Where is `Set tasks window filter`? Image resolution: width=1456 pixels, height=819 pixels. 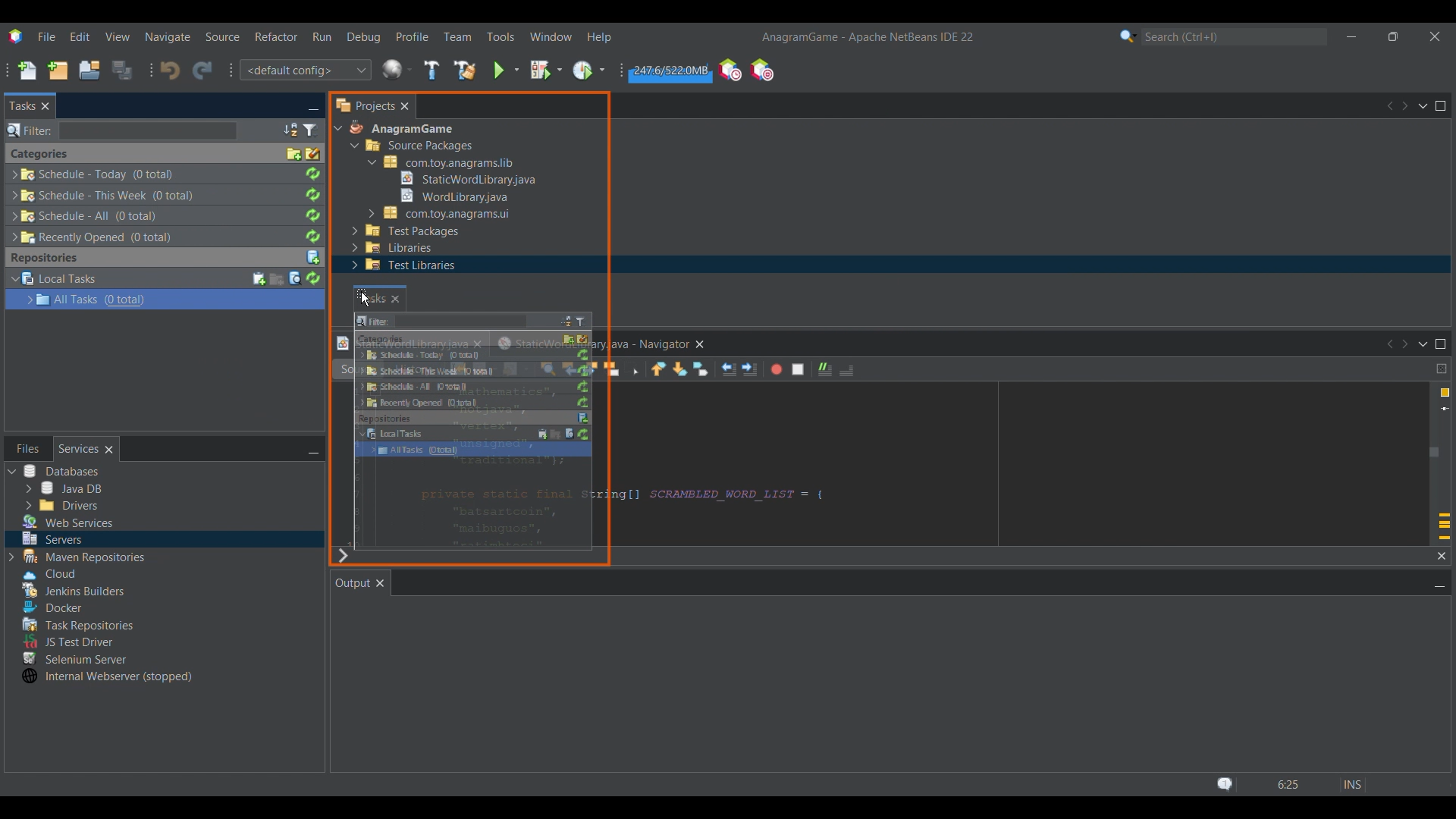
Set tasks window filter is located at coordinates (311, 130).